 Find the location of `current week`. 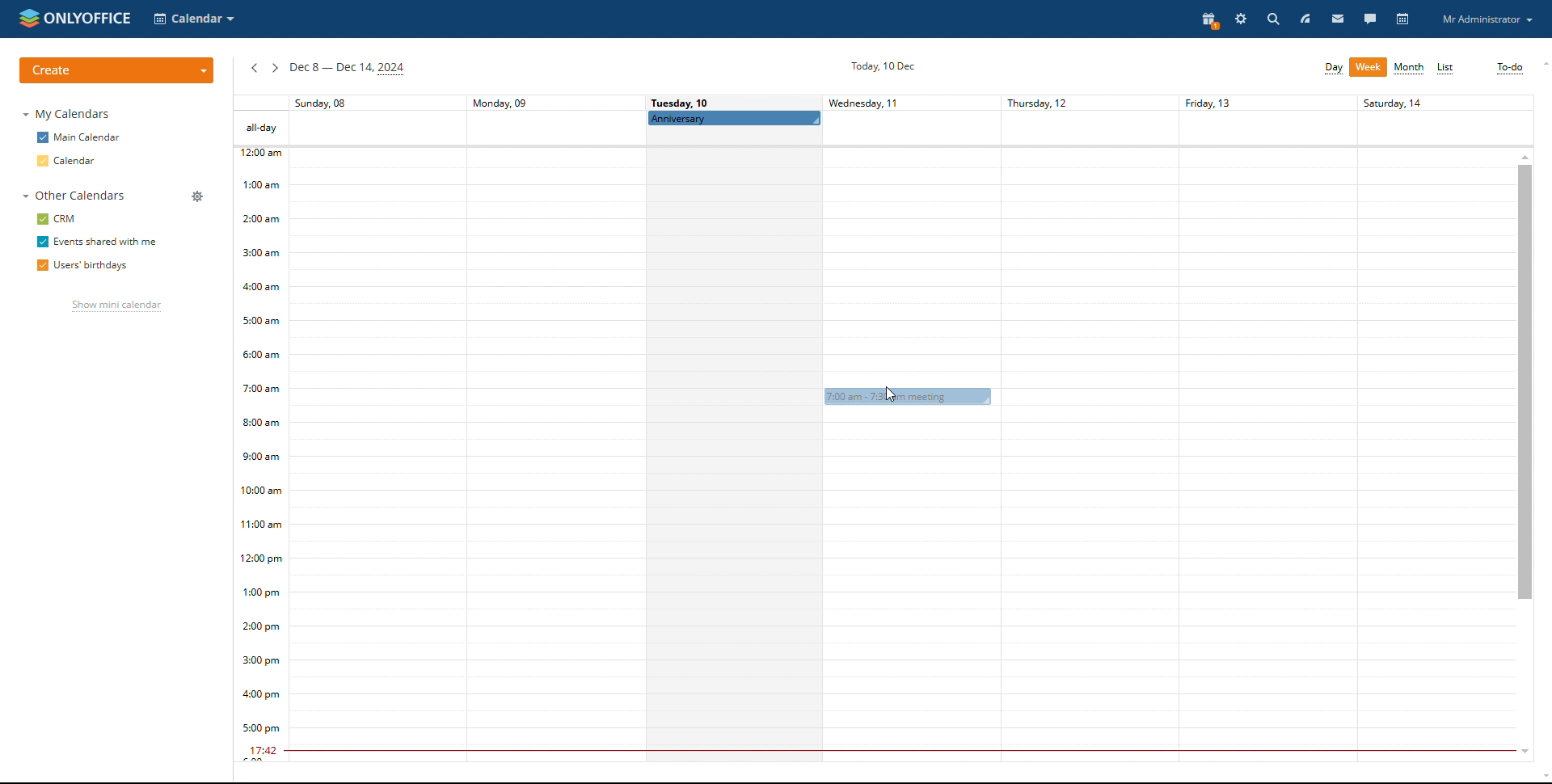

current week is located at coordinates (347, 70).